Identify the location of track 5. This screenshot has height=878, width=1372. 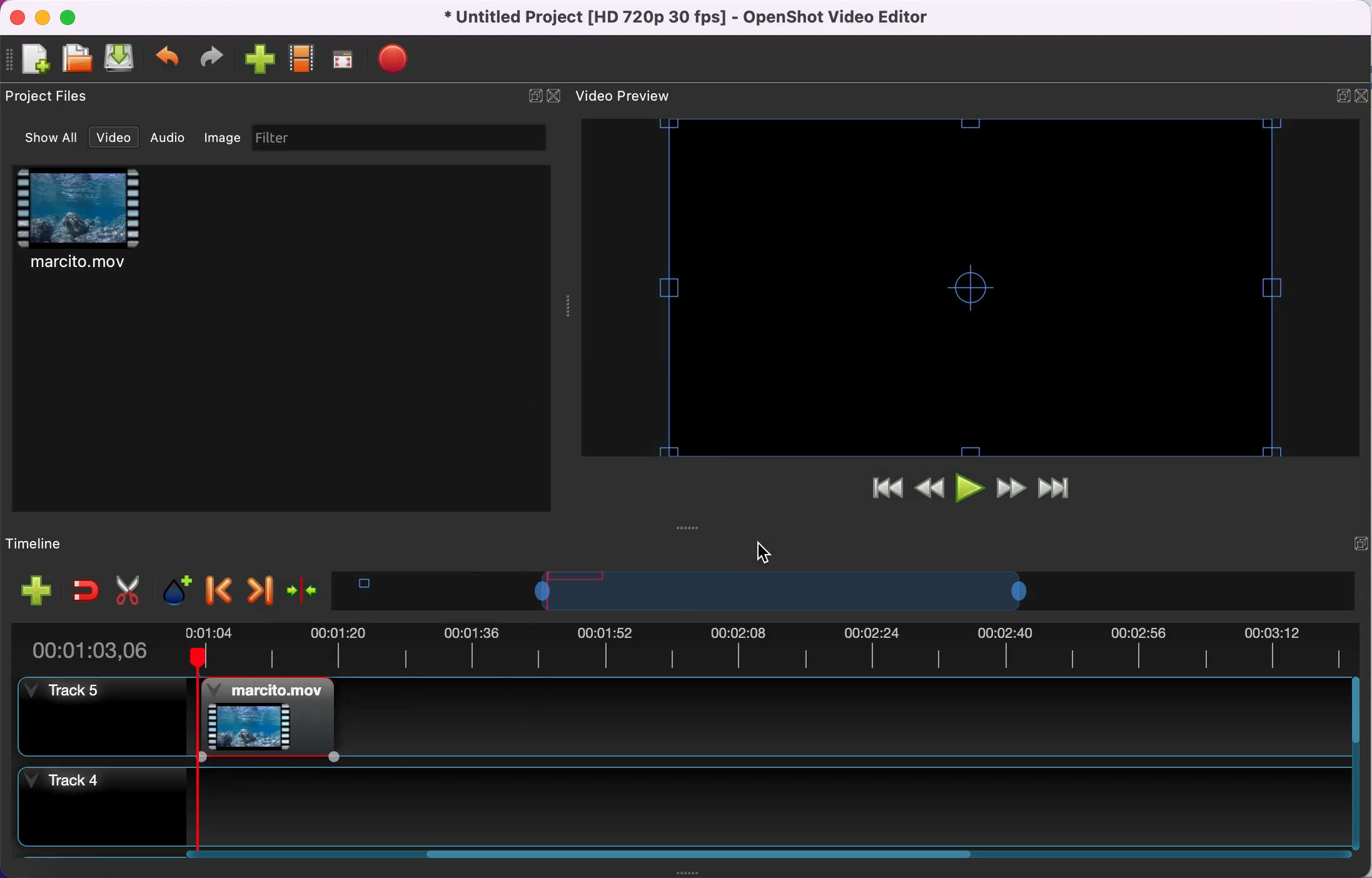
(103, 718).